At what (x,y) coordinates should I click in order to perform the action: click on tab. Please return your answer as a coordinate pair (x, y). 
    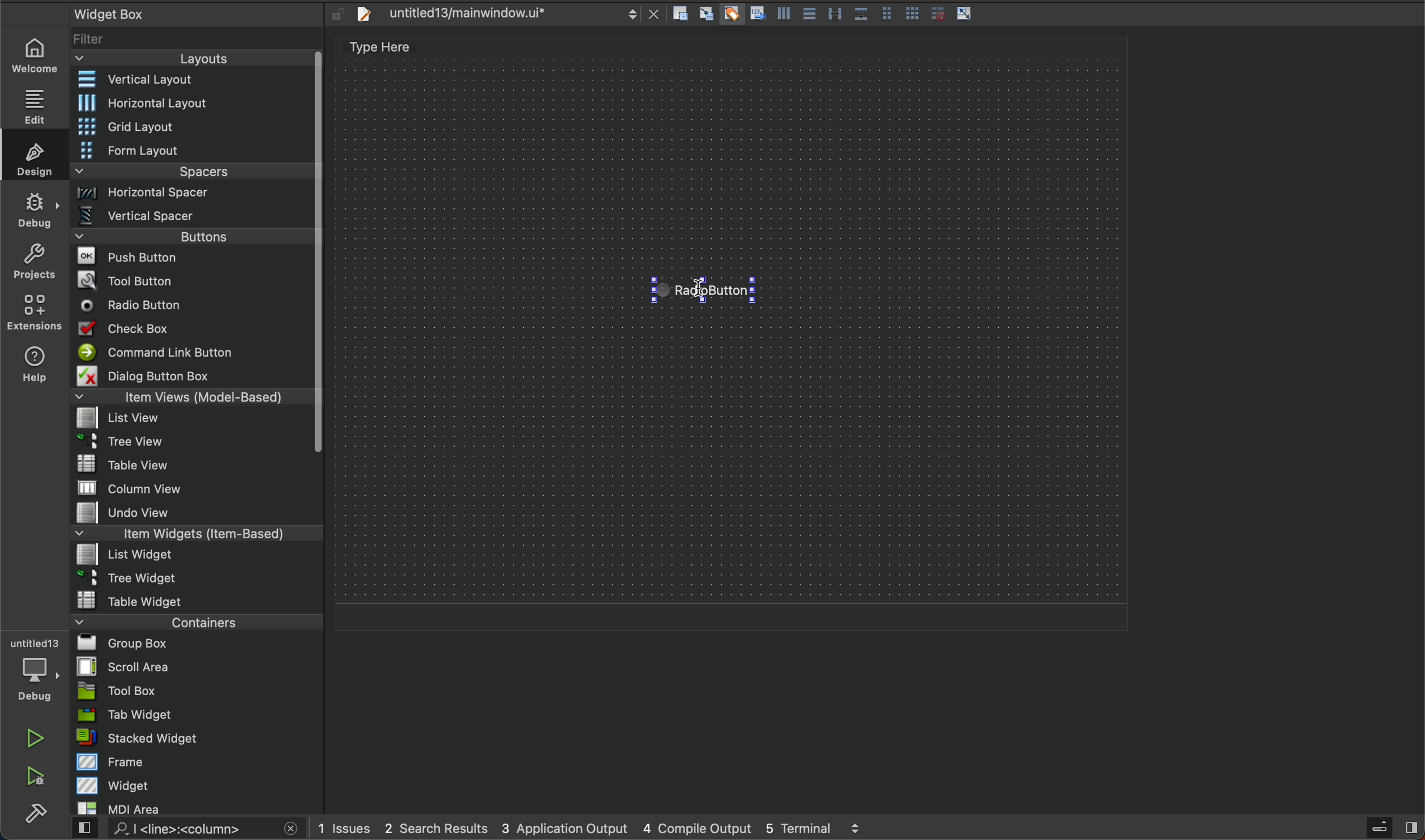
    Looking at the image, I should click on (199, 714).